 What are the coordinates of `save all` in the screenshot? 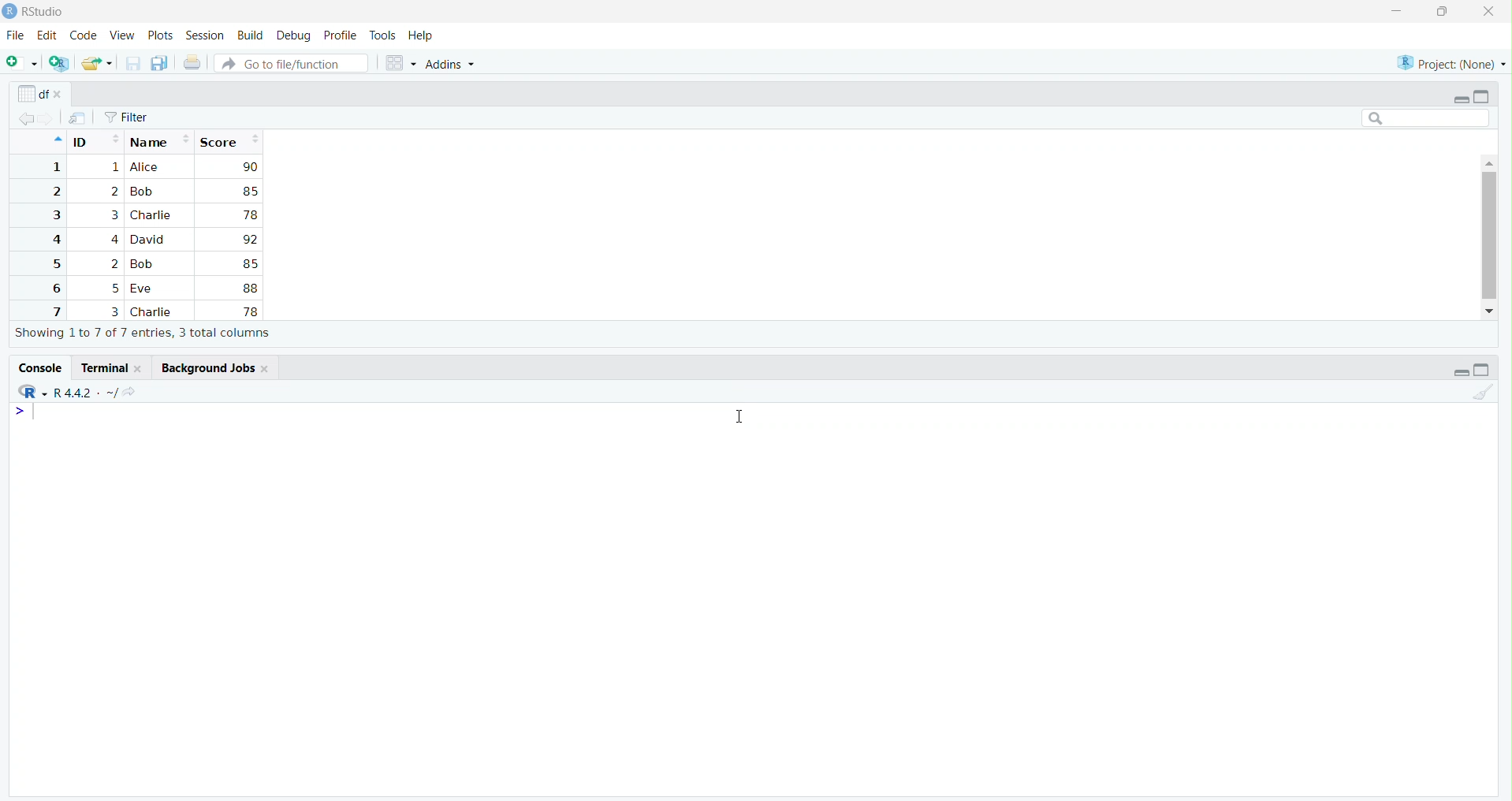 It's located at (161, 64).